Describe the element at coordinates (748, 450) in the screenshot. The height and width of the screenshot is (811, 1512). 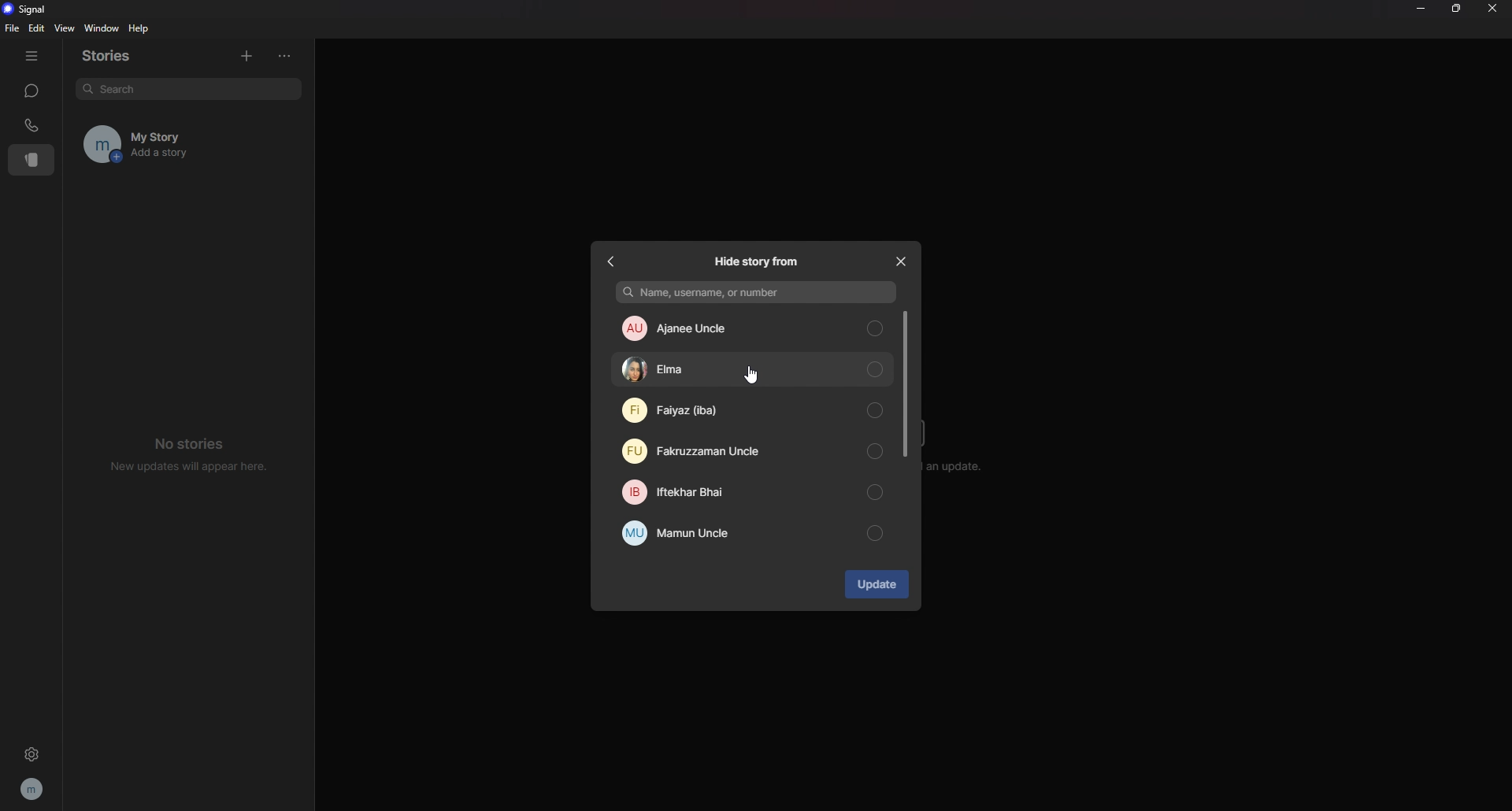
I see `fakruzzaman uncle` at that location.